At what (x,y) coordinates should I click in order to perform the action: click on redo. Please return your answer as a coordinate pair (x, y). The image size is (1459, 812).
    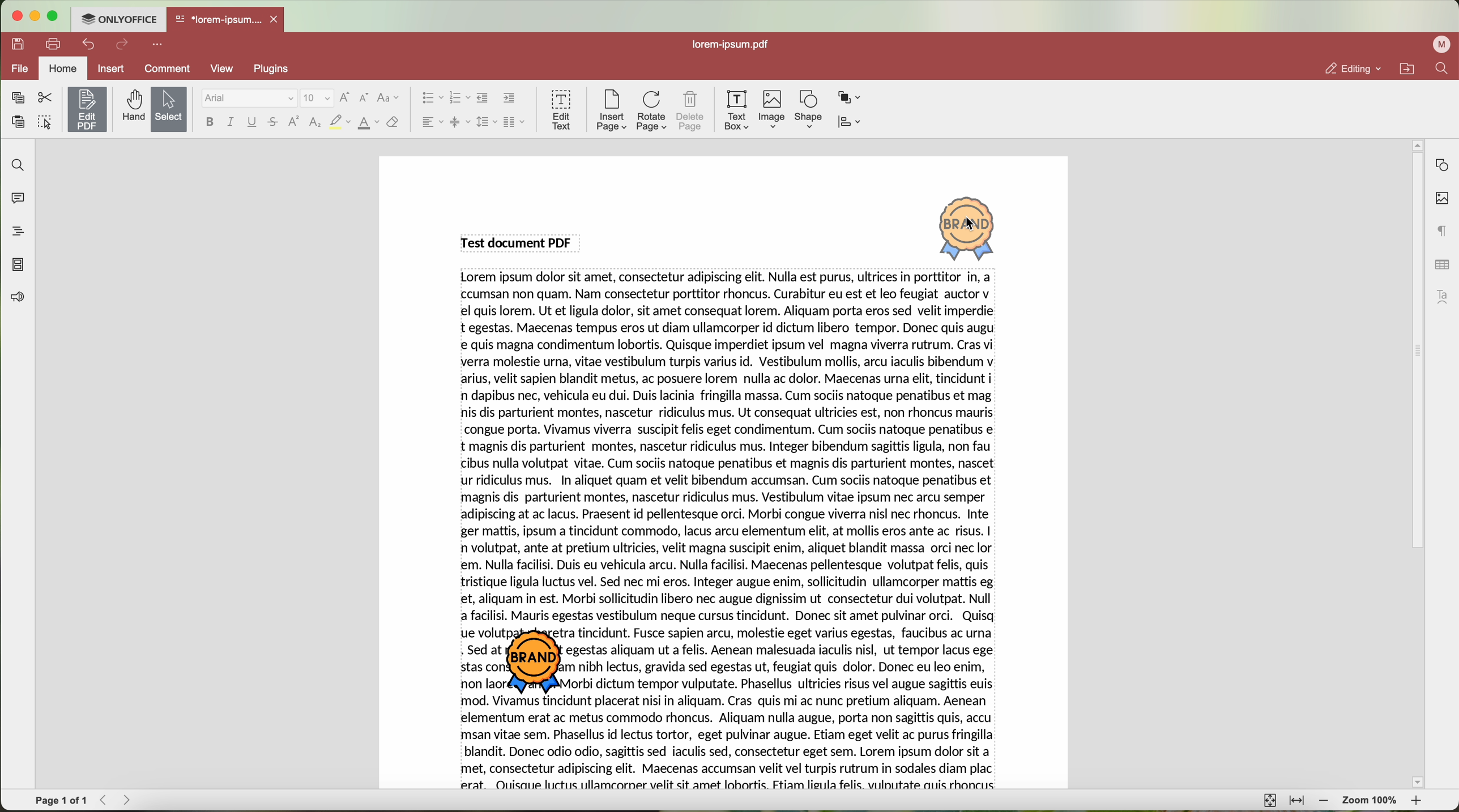
    Looking at the image, I should click on (122, 45).